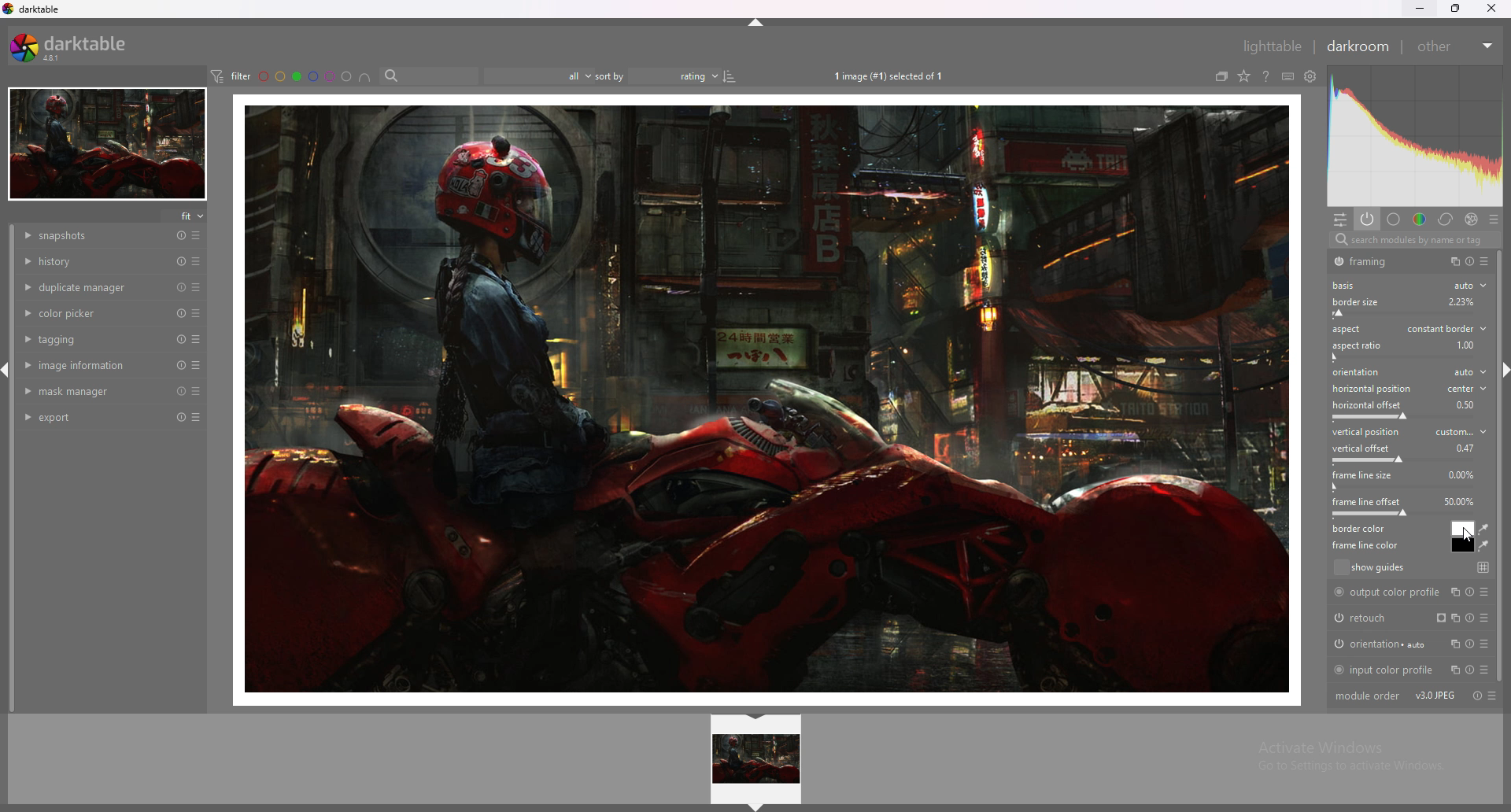  I want to click on search modules, so click(1413, 242).